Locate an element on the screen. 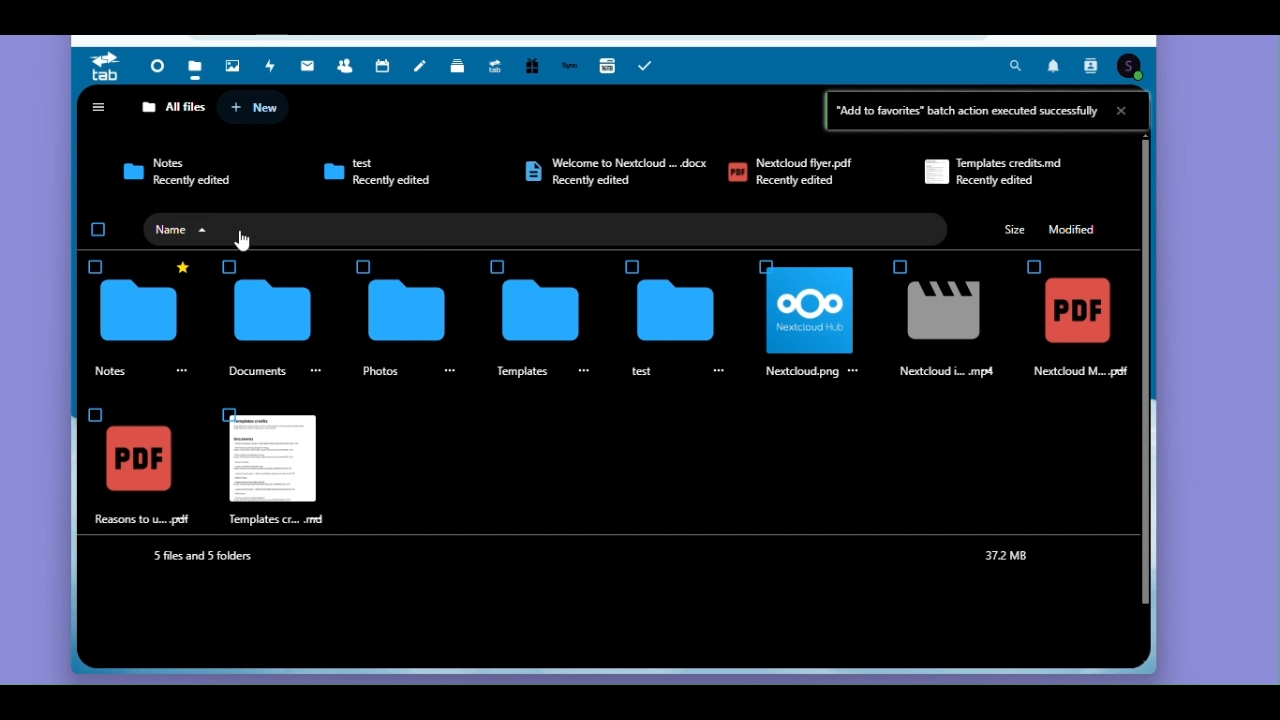 The image size is (1280, 720). Icon is located at coordinates (274, 311).